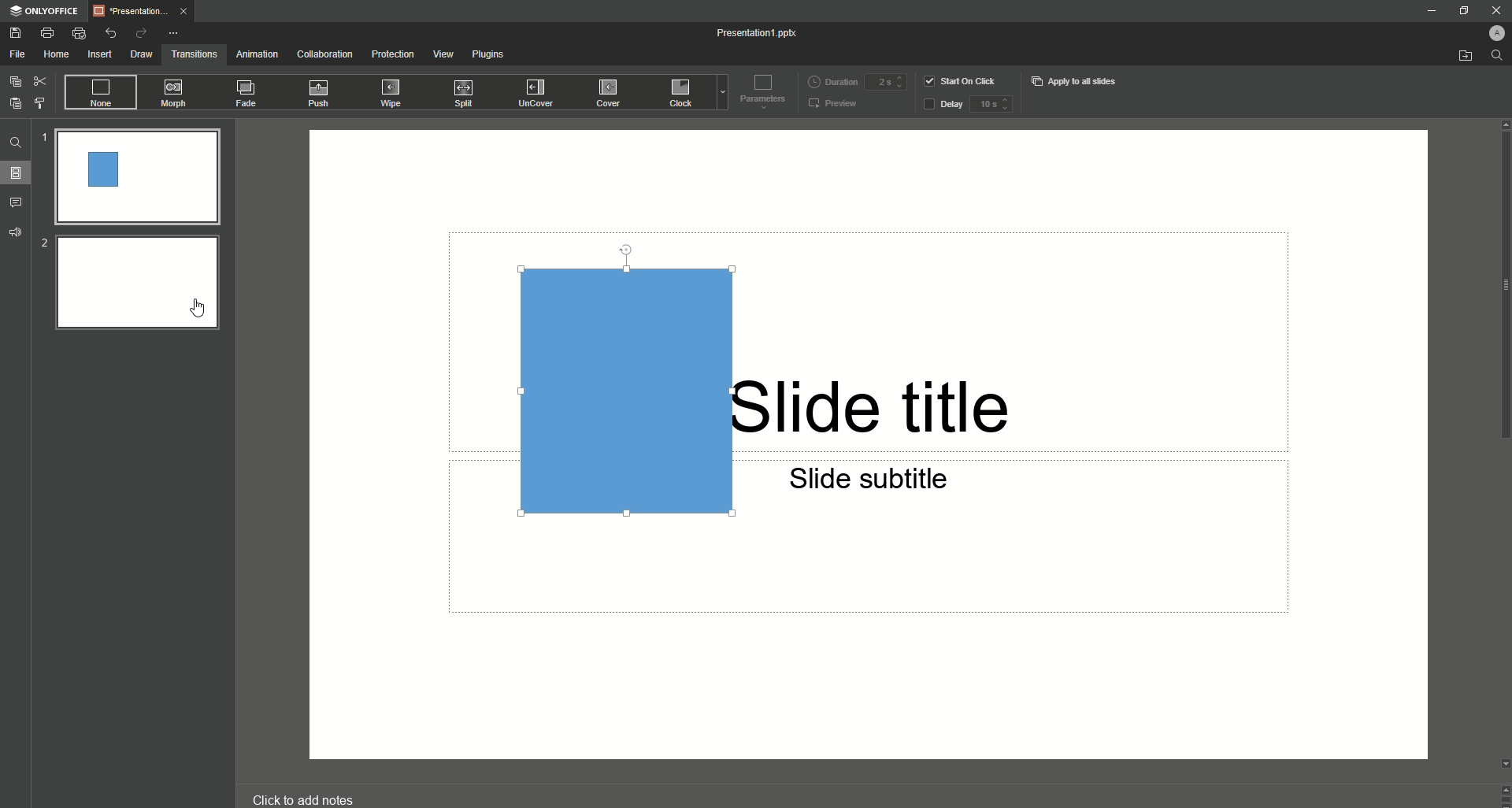 This screenshot has width=1512, height=808. Describe the element at coordinates (491, 56) in the screenshot. I see `Plugins` at that location.